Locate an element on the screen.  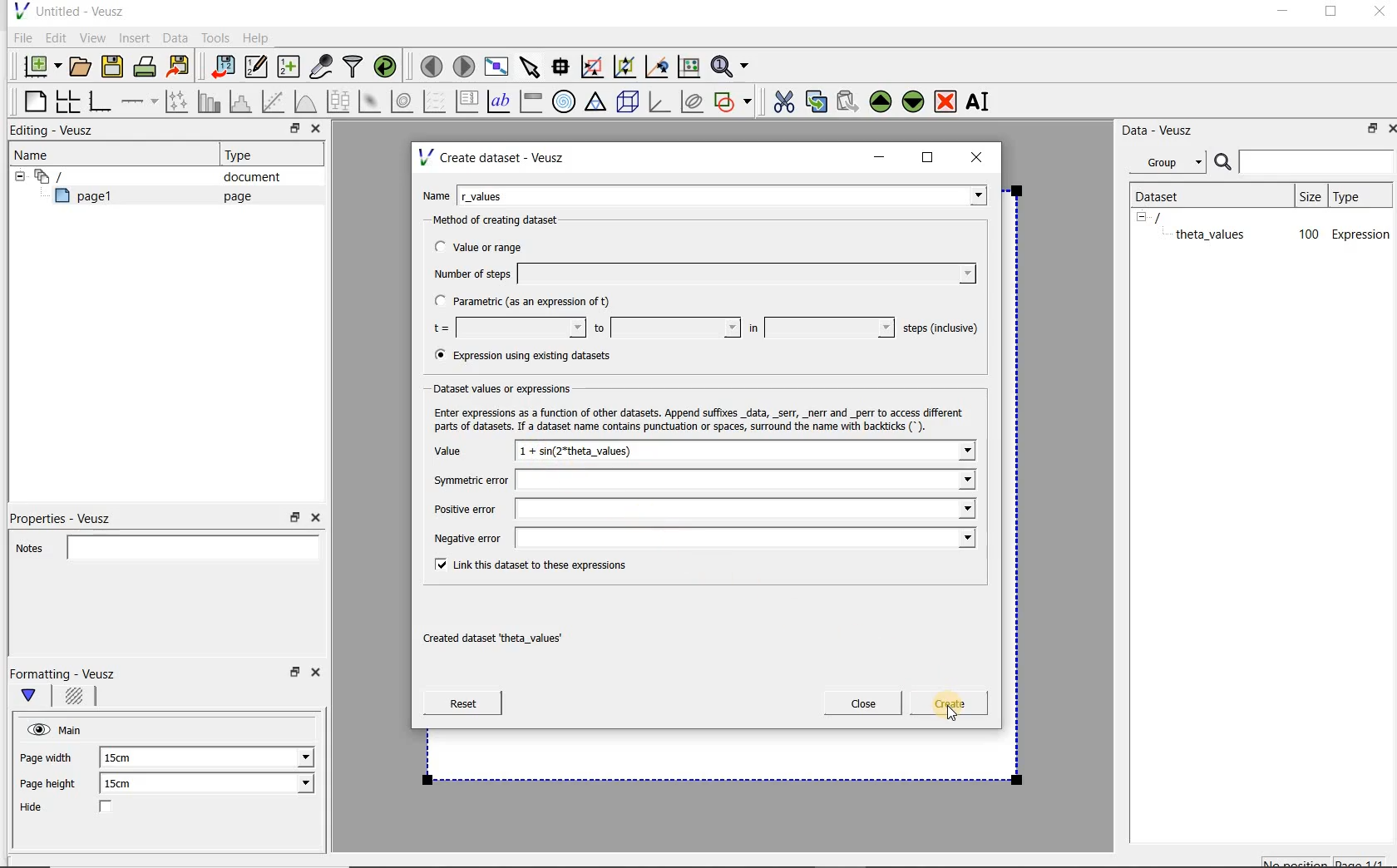
open a document is located at coordinates (82, 65).